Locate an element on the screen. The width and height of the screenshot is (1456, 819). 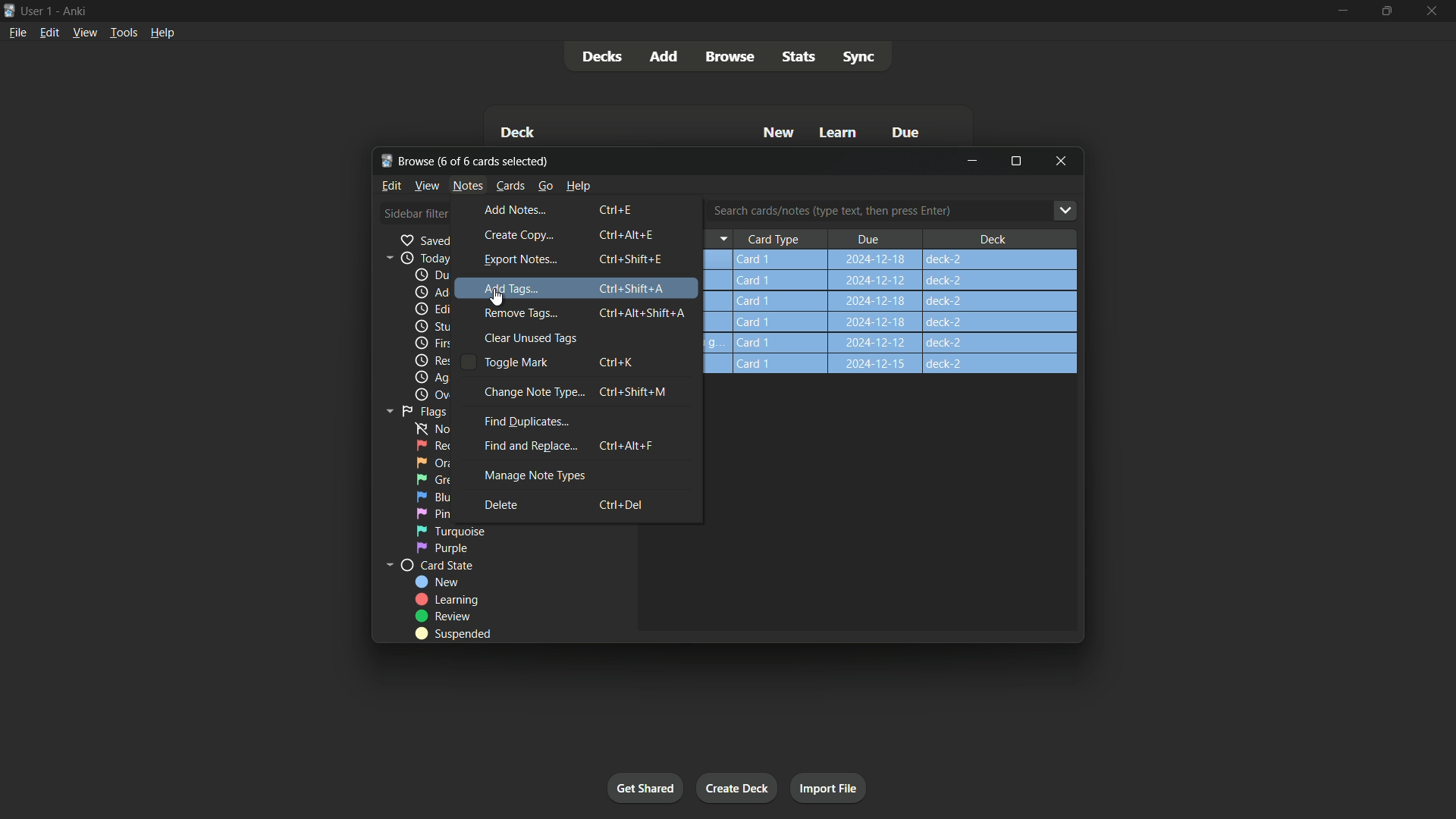
saved is located at coordinates (427, 240).